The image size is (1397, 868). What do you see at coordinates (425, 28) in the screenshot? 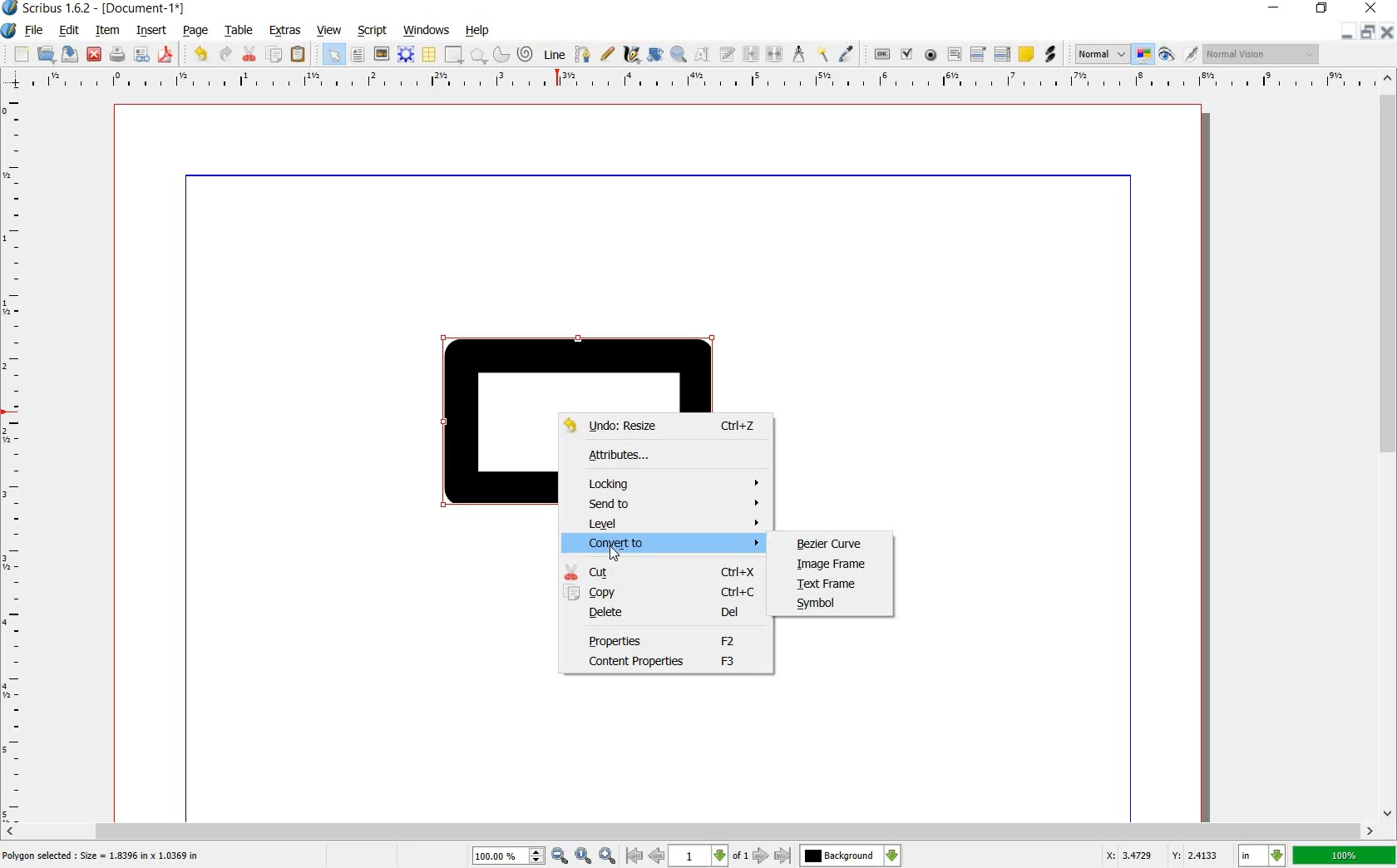
I see `windows` at bounding box center [425, 28].